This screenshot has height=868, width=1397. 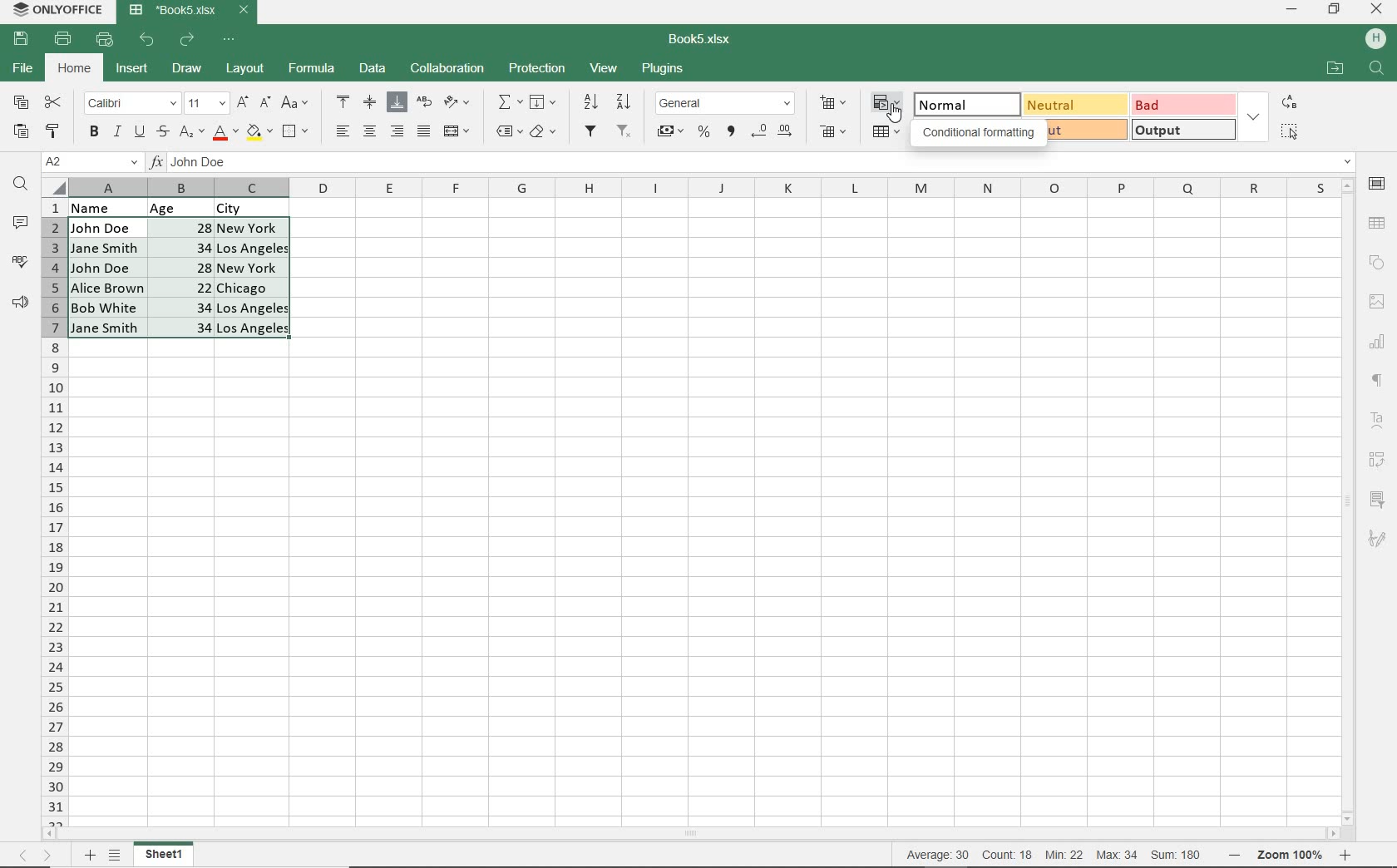 I want to click on sum, so click(x=1172, y=855).